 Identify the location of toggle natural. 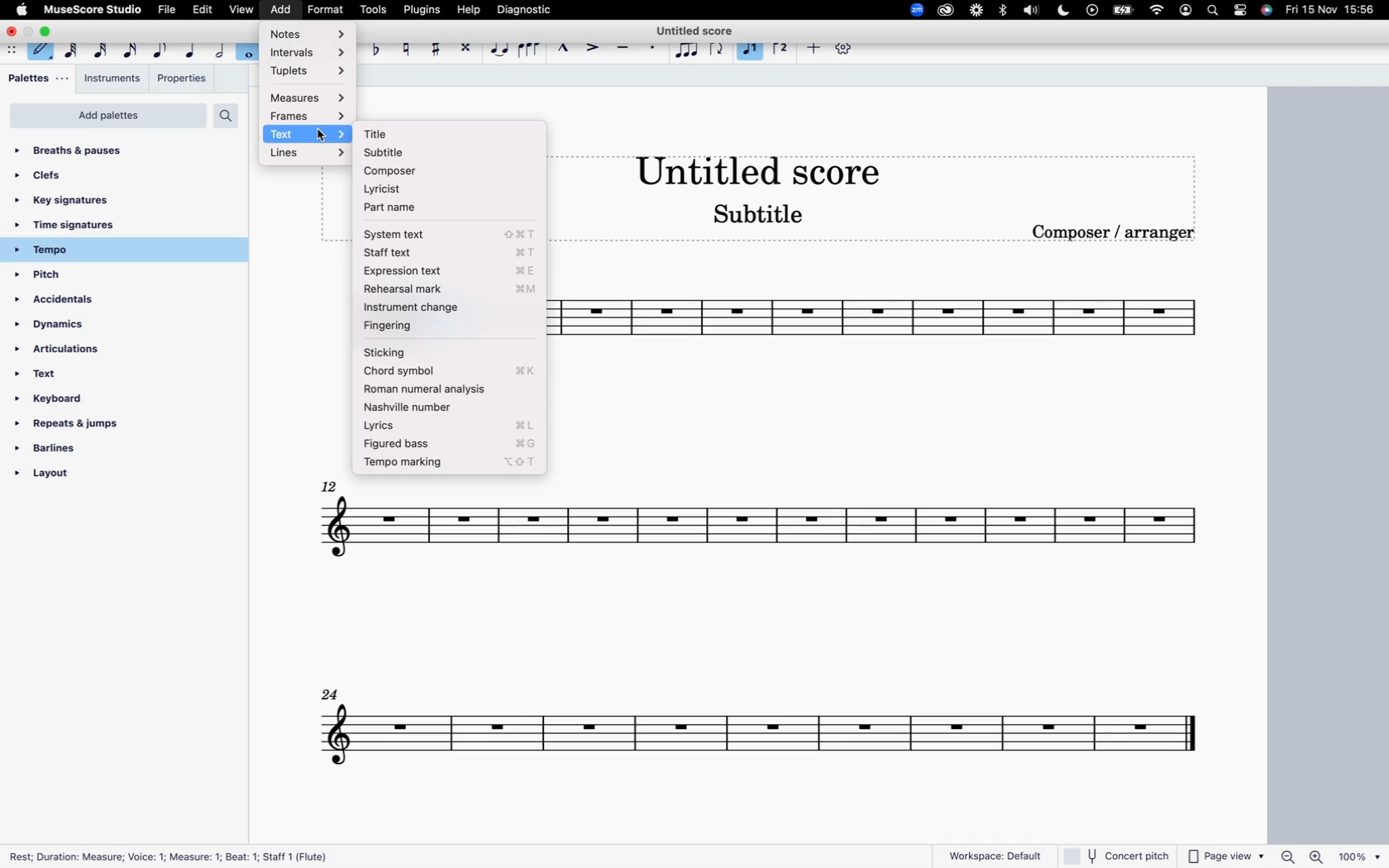
(405, 46).